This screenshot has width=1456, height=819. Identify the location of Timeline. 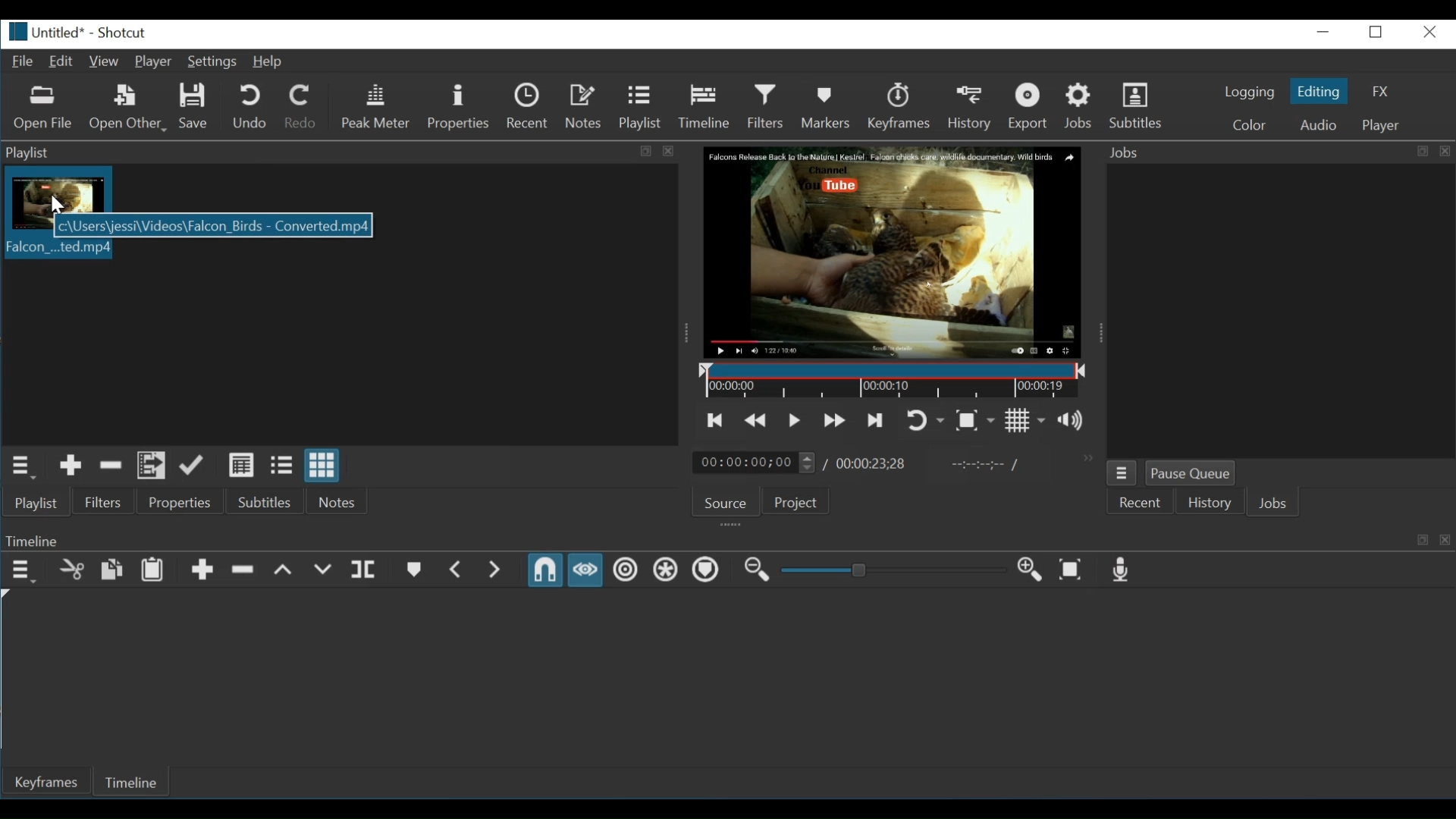
(704, 105).